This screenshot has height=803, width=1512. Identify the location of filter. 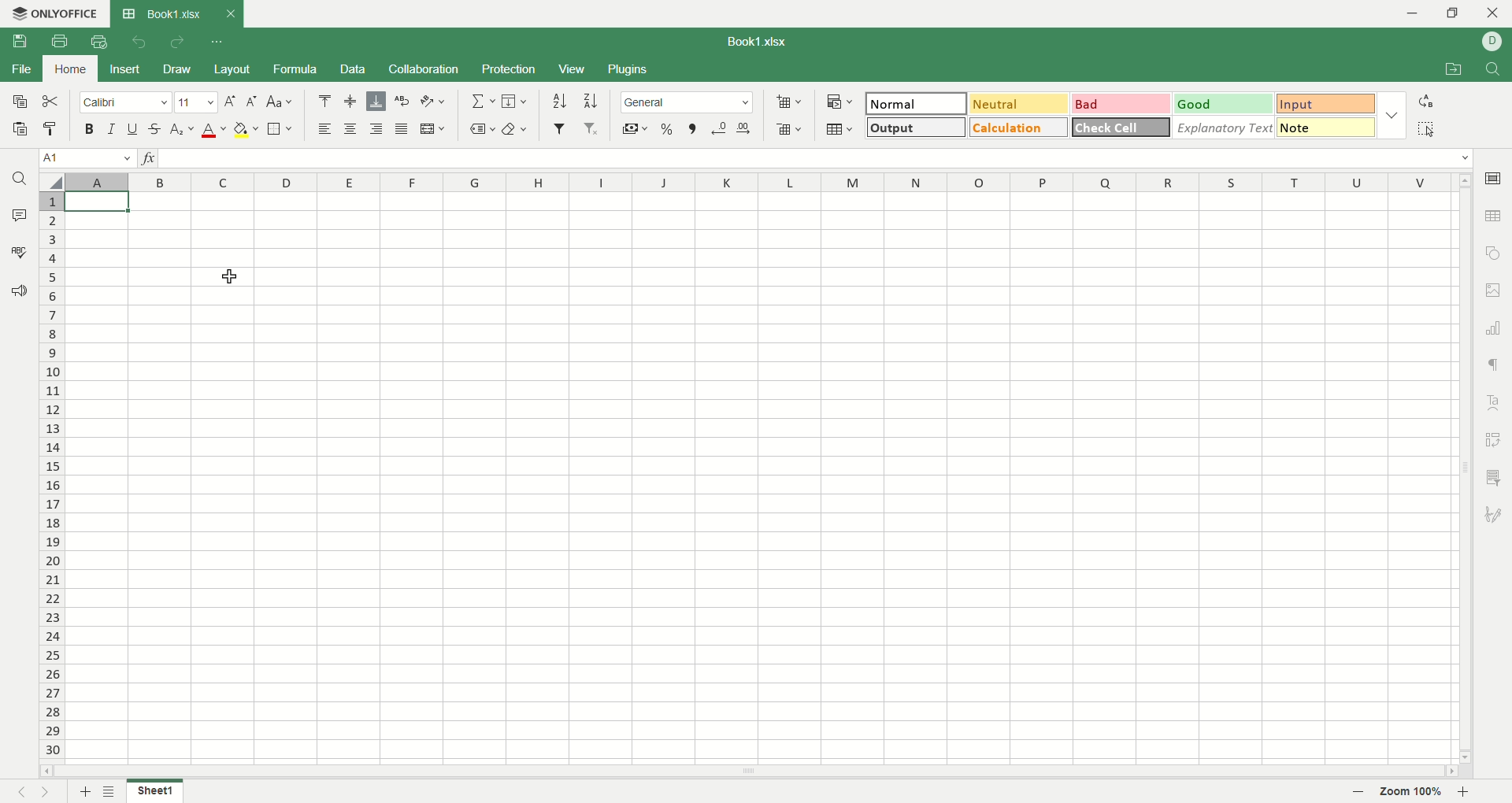
(559, 128).